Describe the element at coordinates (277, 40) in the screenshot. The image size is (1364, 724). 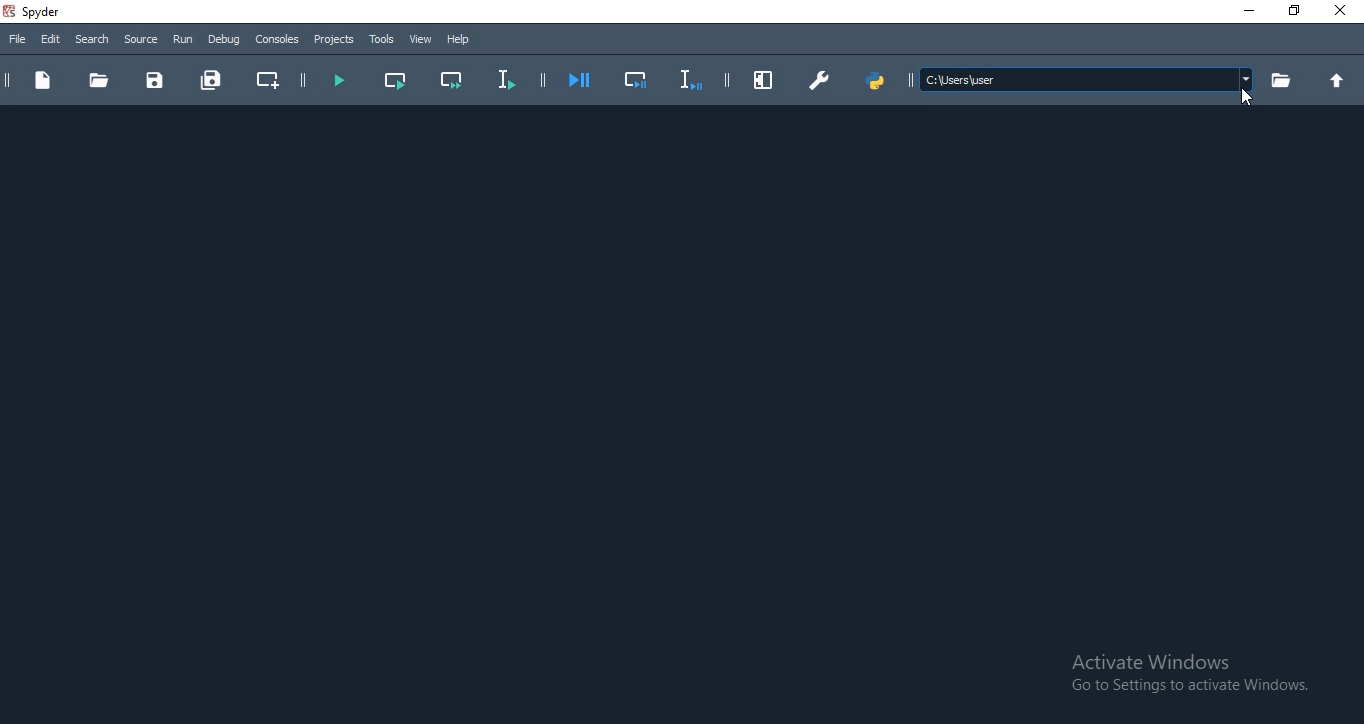
I see `Consoles` at that location.